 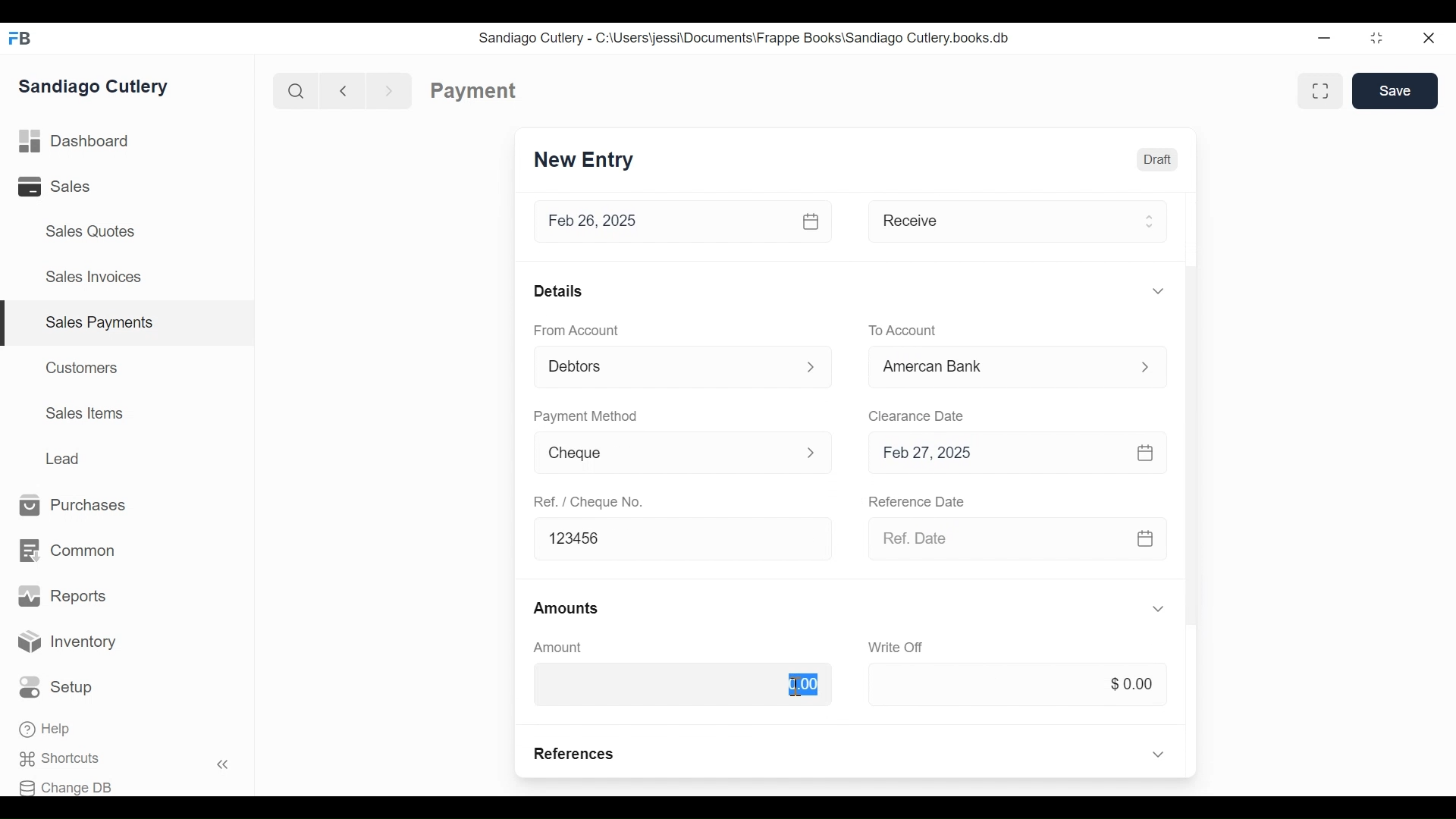 What do you see at coordinates (1157, 290) in the screenshot?
I see `Expand` at bounding box center [1157, 290].